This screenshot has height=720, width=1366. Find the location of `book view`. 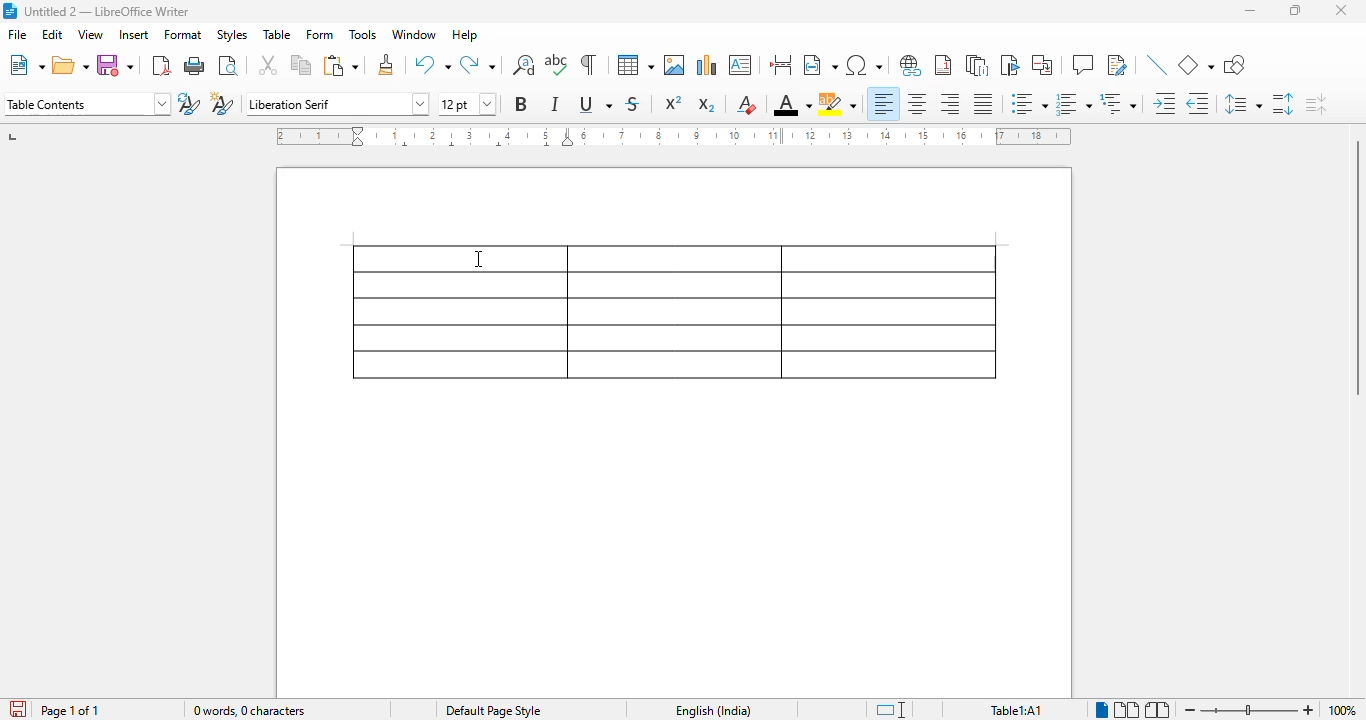

book view is located at coordinates (1157, 709).